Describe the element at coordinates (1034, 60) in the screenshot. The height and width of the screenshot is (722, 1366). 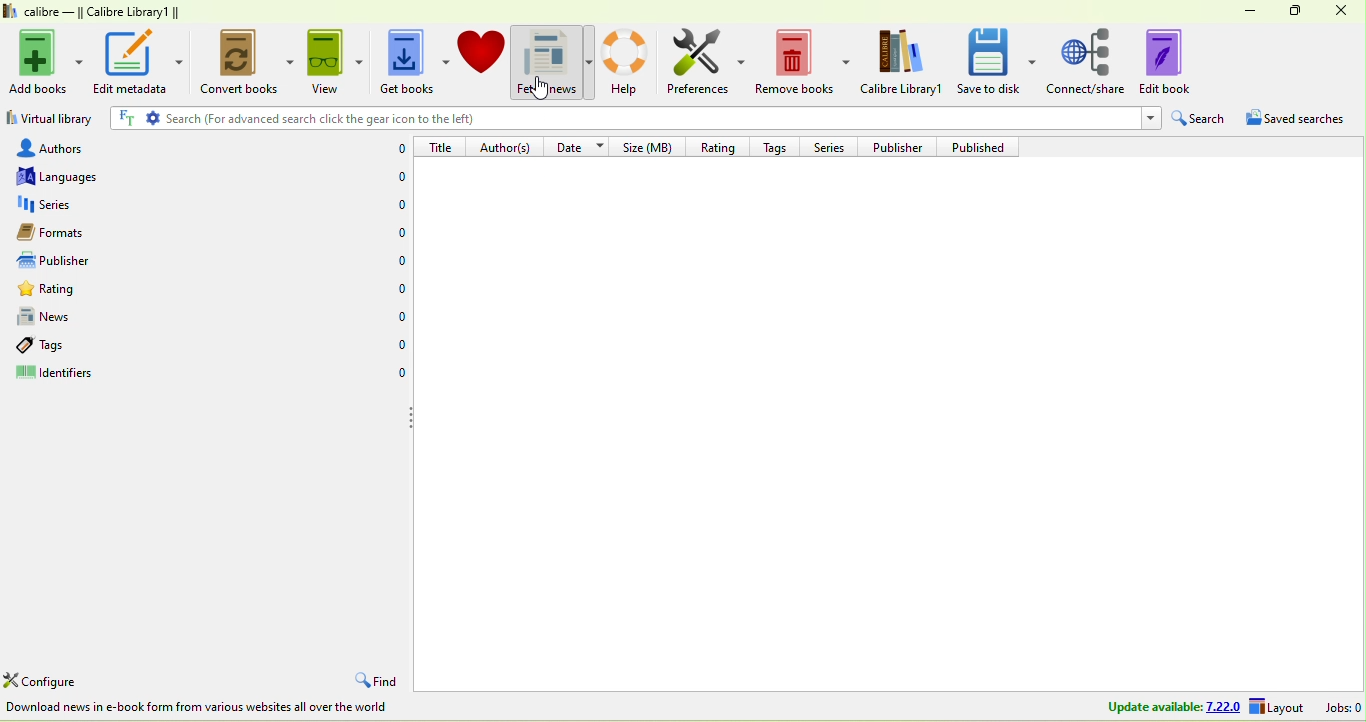
I see `save to disk options` at that location.